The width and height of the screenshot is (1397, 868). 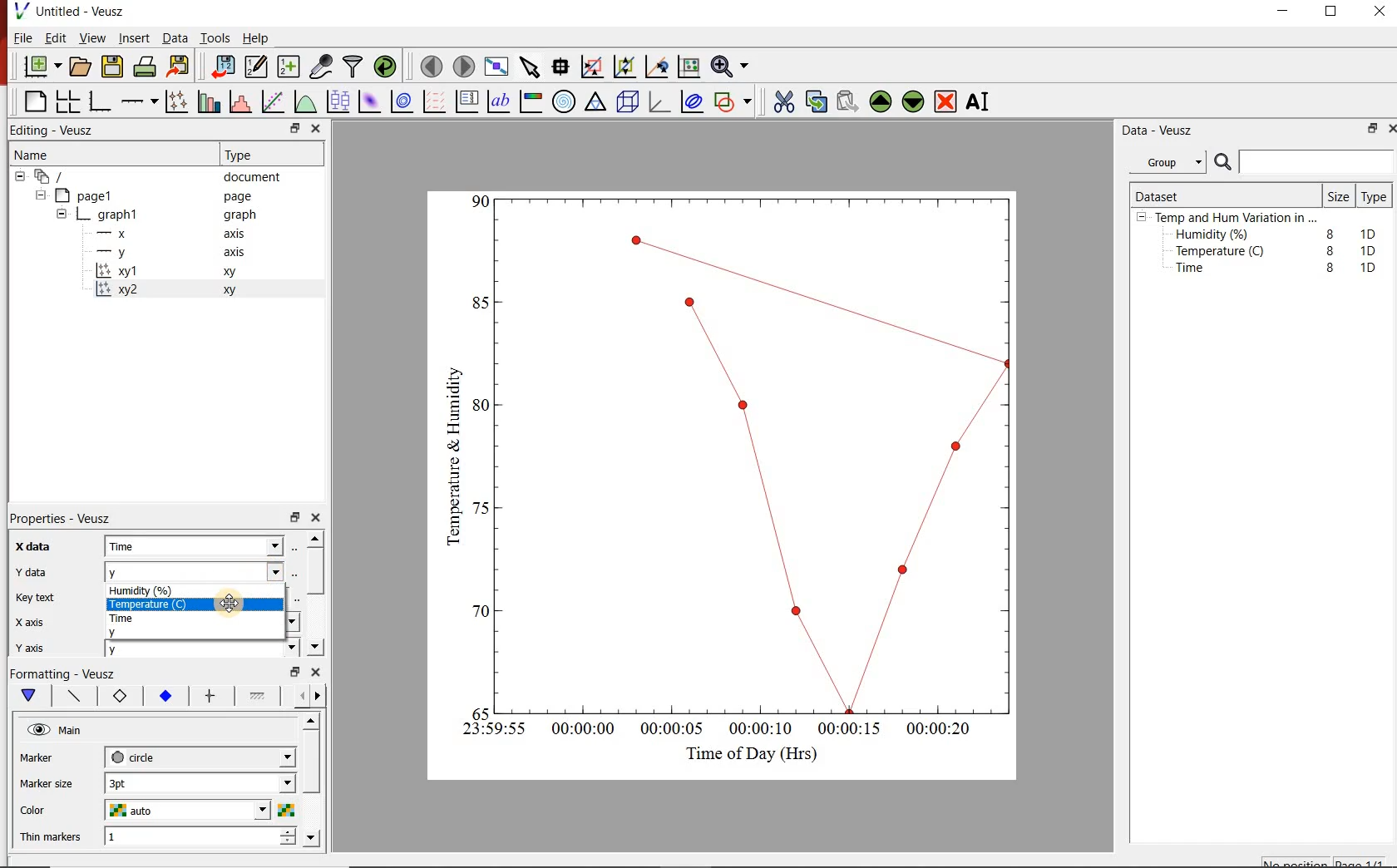 I want to click on Graph, so click(x=758, y=451).